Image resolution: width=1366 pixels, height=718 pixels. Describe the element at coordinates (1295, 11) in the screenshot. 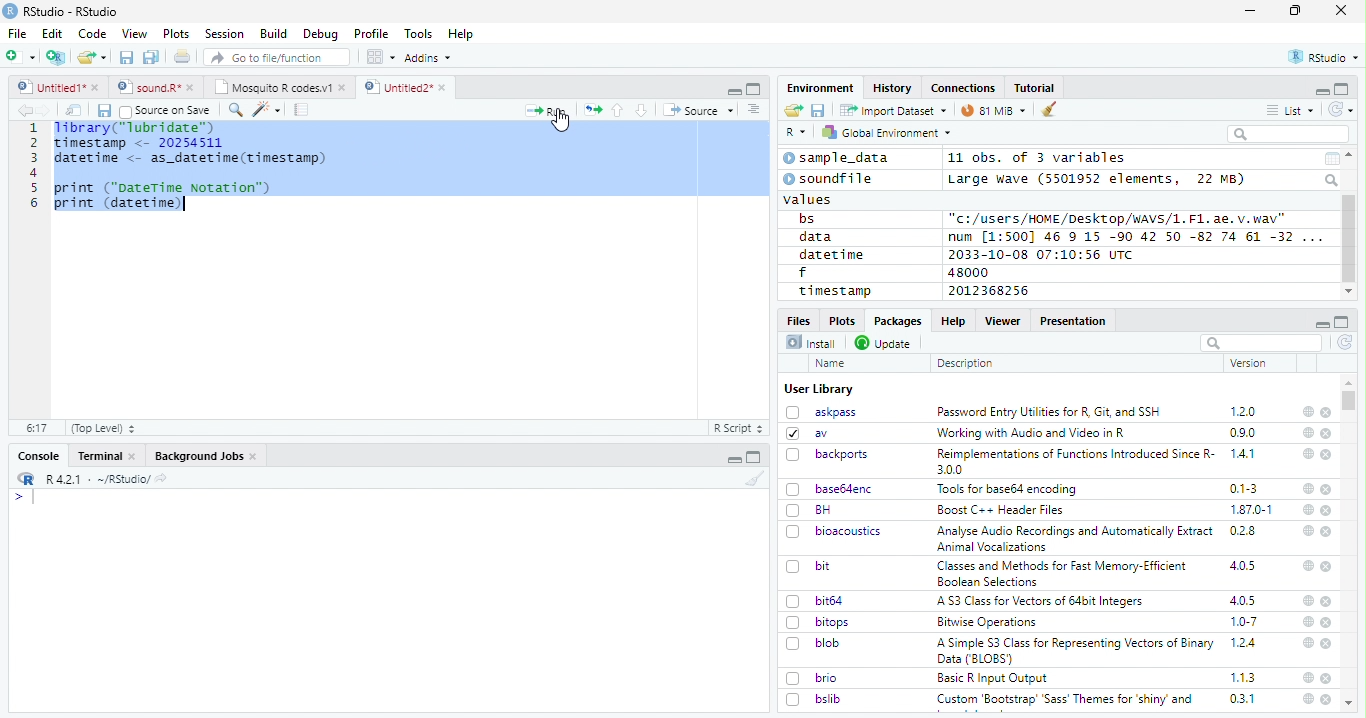

I see `maximize` at that location.